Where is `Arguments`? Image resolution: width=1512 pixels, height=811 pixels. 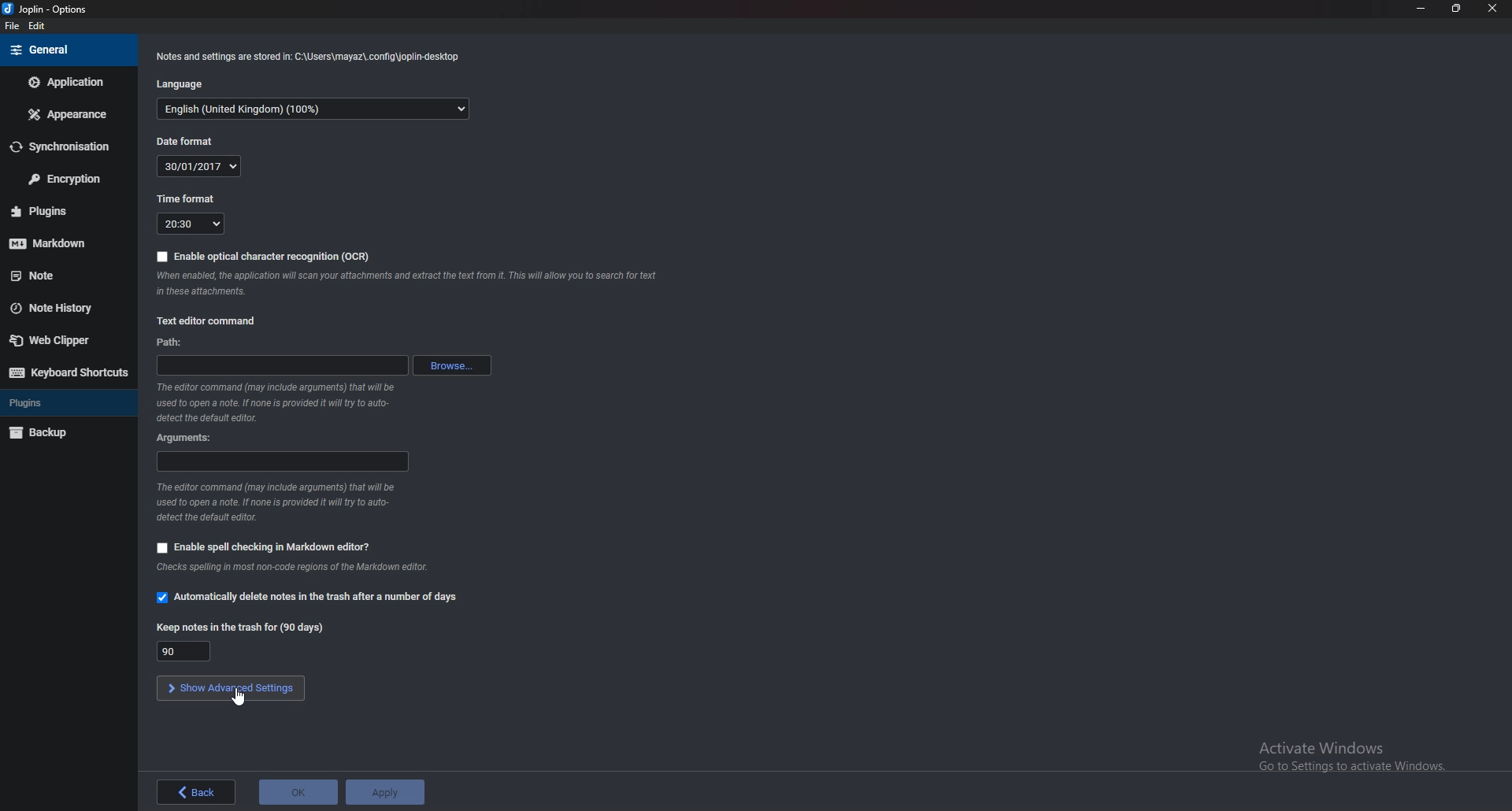
Arguments is located at coordinates (190, 438).